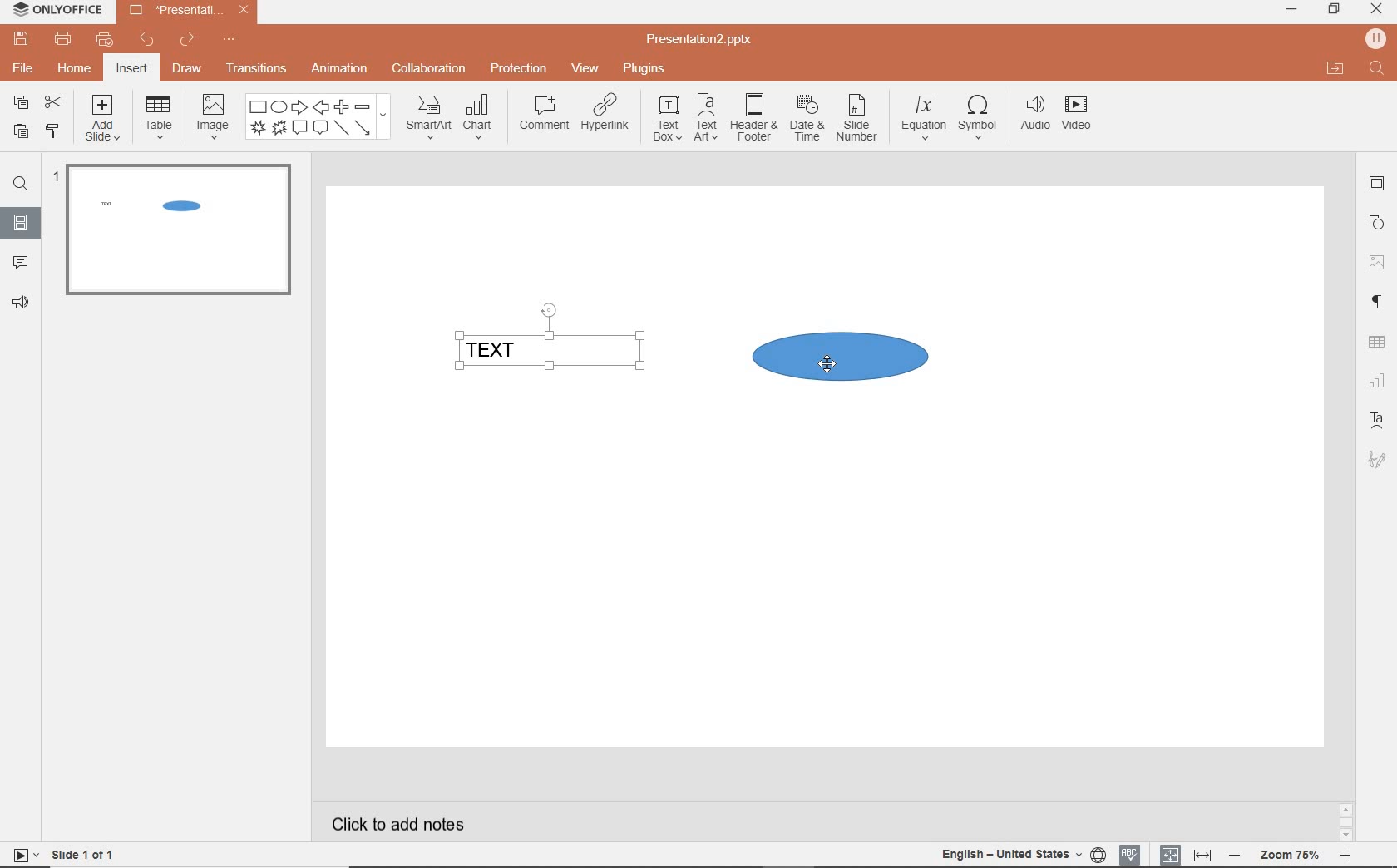 This screenshot has width=1397, height=868. Describe the element at coordinates (1377, 262) in the screenshot. I see `IMAGE SETTINGS` at that location.